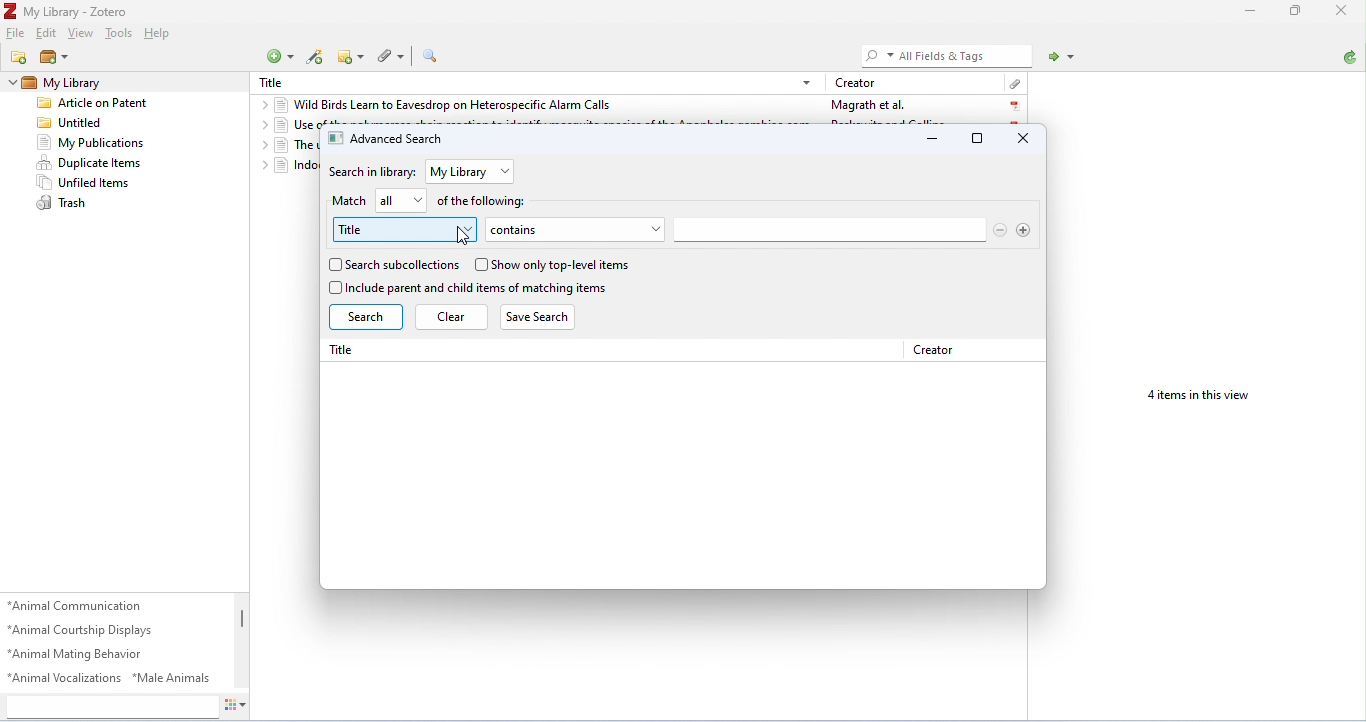  Describe the element at coordinates (478, 288) in the screenshot. I see `include parent and child items of matching items` at that location.